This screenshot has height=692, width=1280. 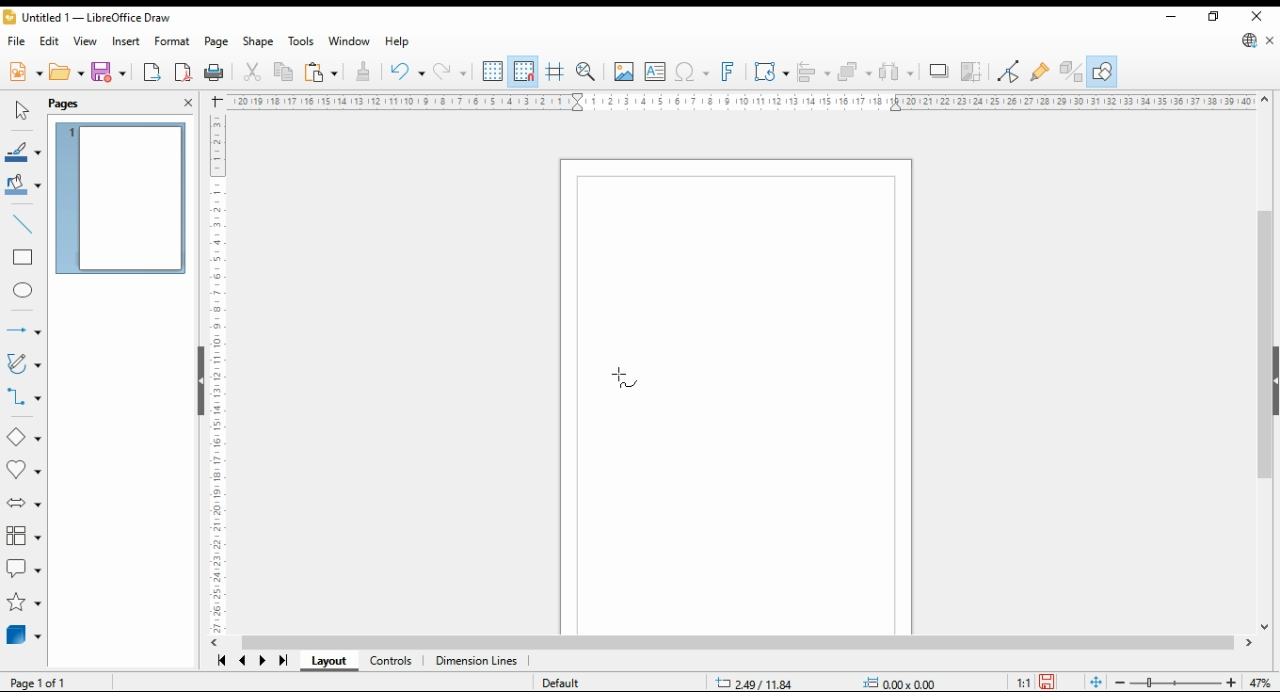 What do you see at coordinates (896, 72) in the screenshot?
I see `select at least three objects to distribute` at bounding box center [896, 72].